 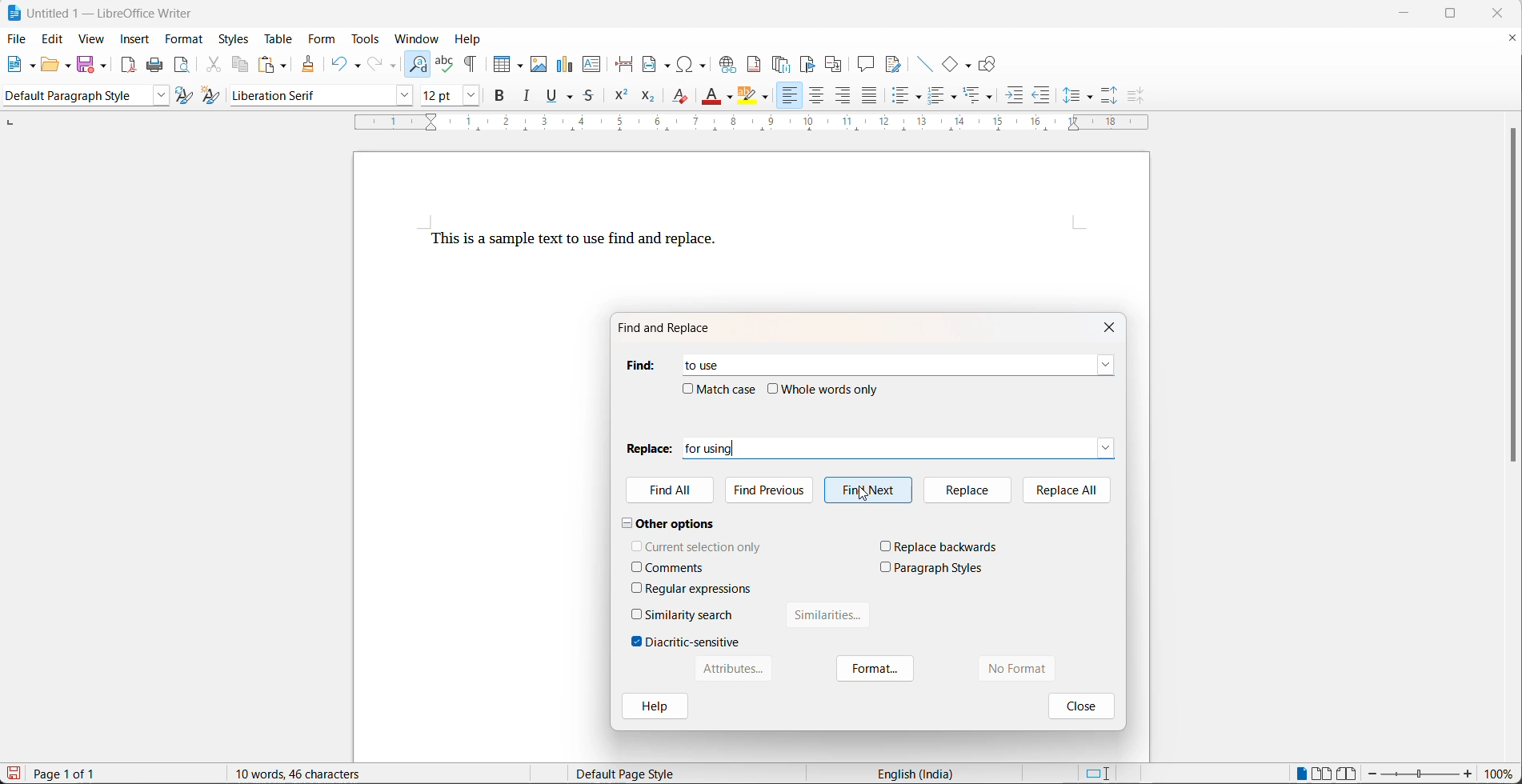 What do you see at coordinates (1079, 705) in the screenshot?
I see `close` at bounding box center [1079, 705].